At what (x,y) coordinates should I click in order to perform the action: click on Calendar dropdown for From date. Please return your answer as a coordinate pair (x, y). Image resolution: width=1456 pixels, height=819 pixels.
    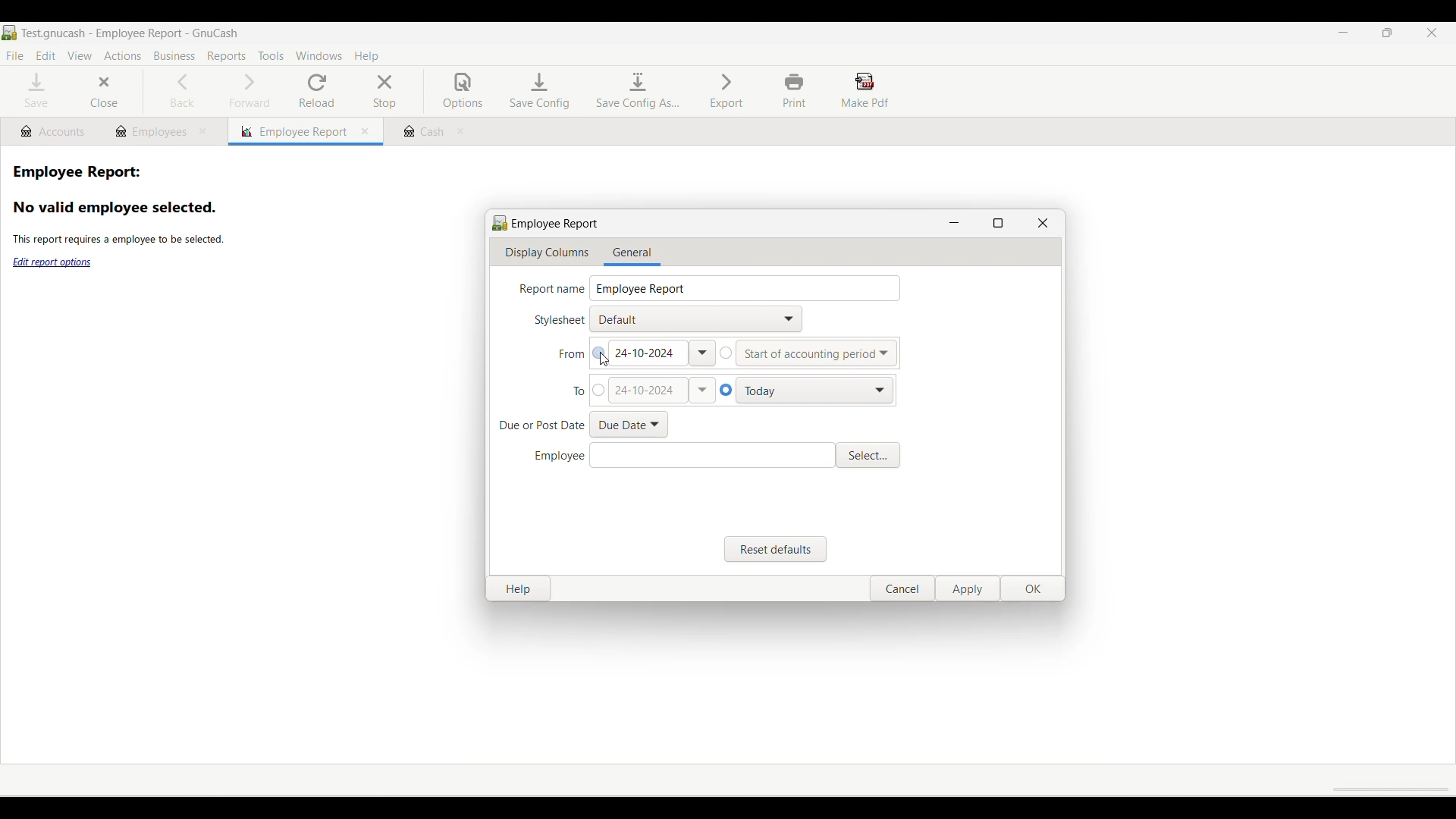
    Looking at the image, I should click on (702, 353).